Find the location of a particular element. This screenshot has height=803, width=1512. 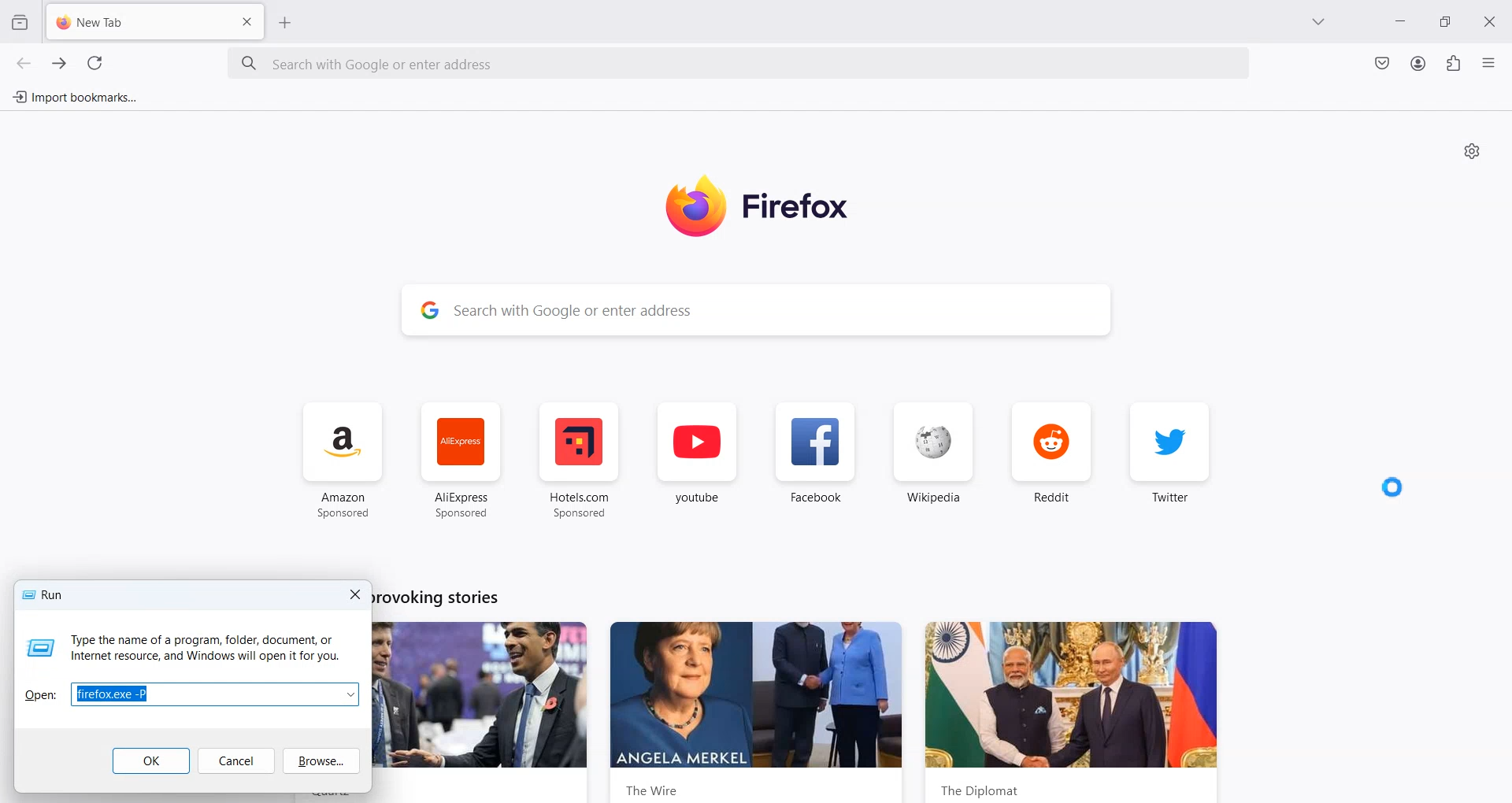

Minimize is located at coordinates (1402, 24).